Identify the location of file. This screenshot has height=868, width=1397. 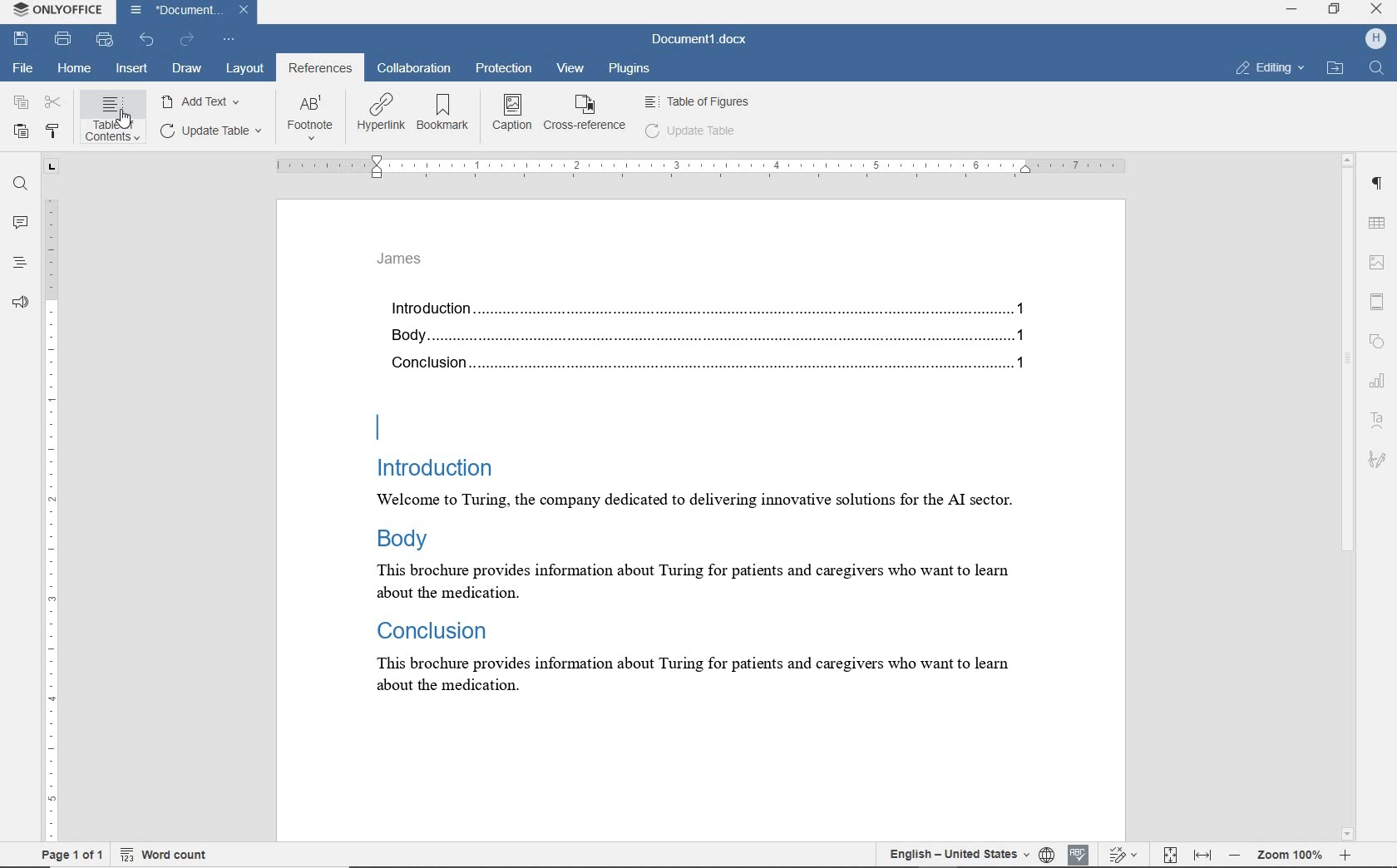
(22, 67).